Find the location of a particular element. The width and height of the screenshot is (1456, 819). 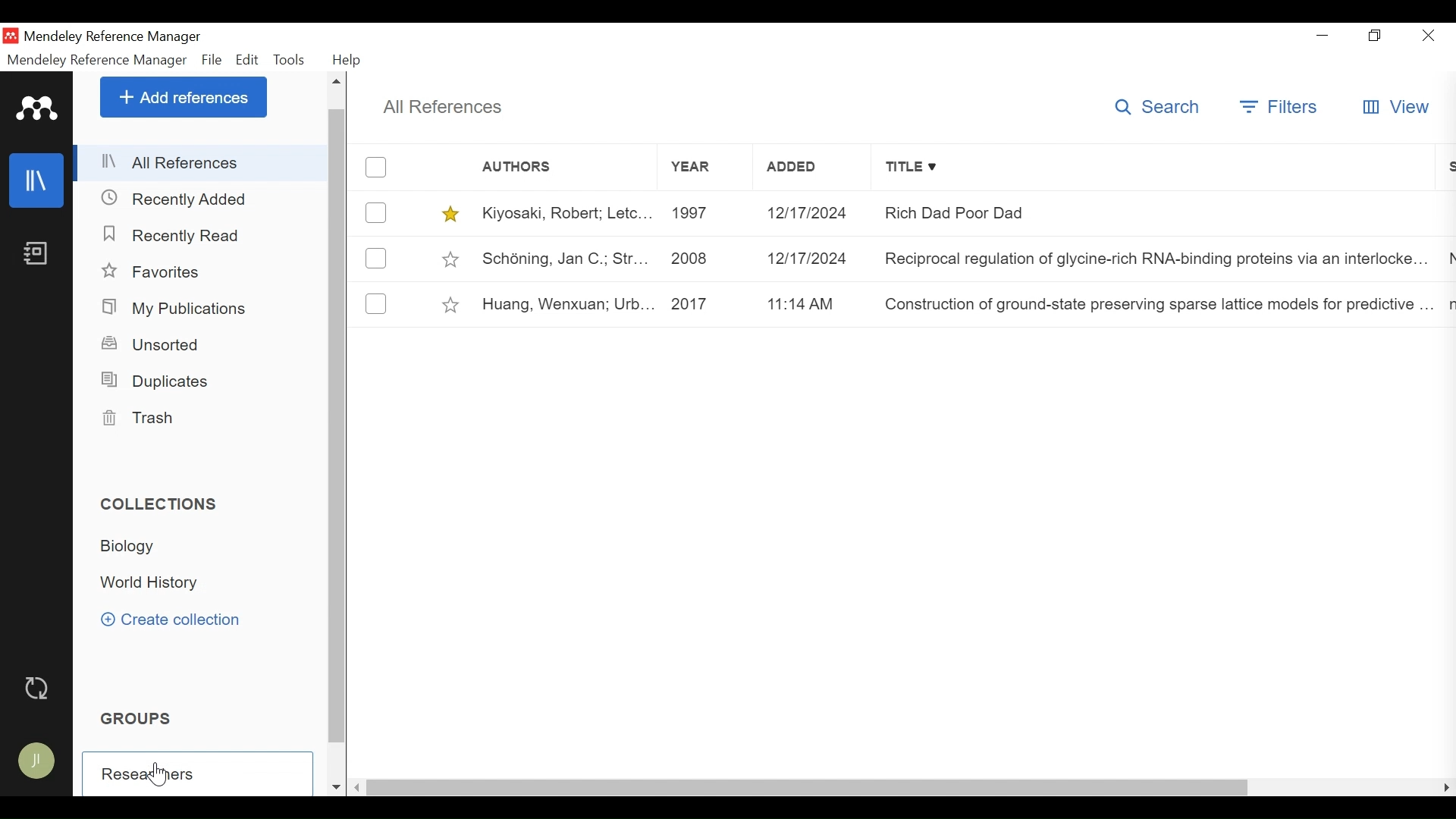

toggle Favorites is located at coordinates (451, 215).